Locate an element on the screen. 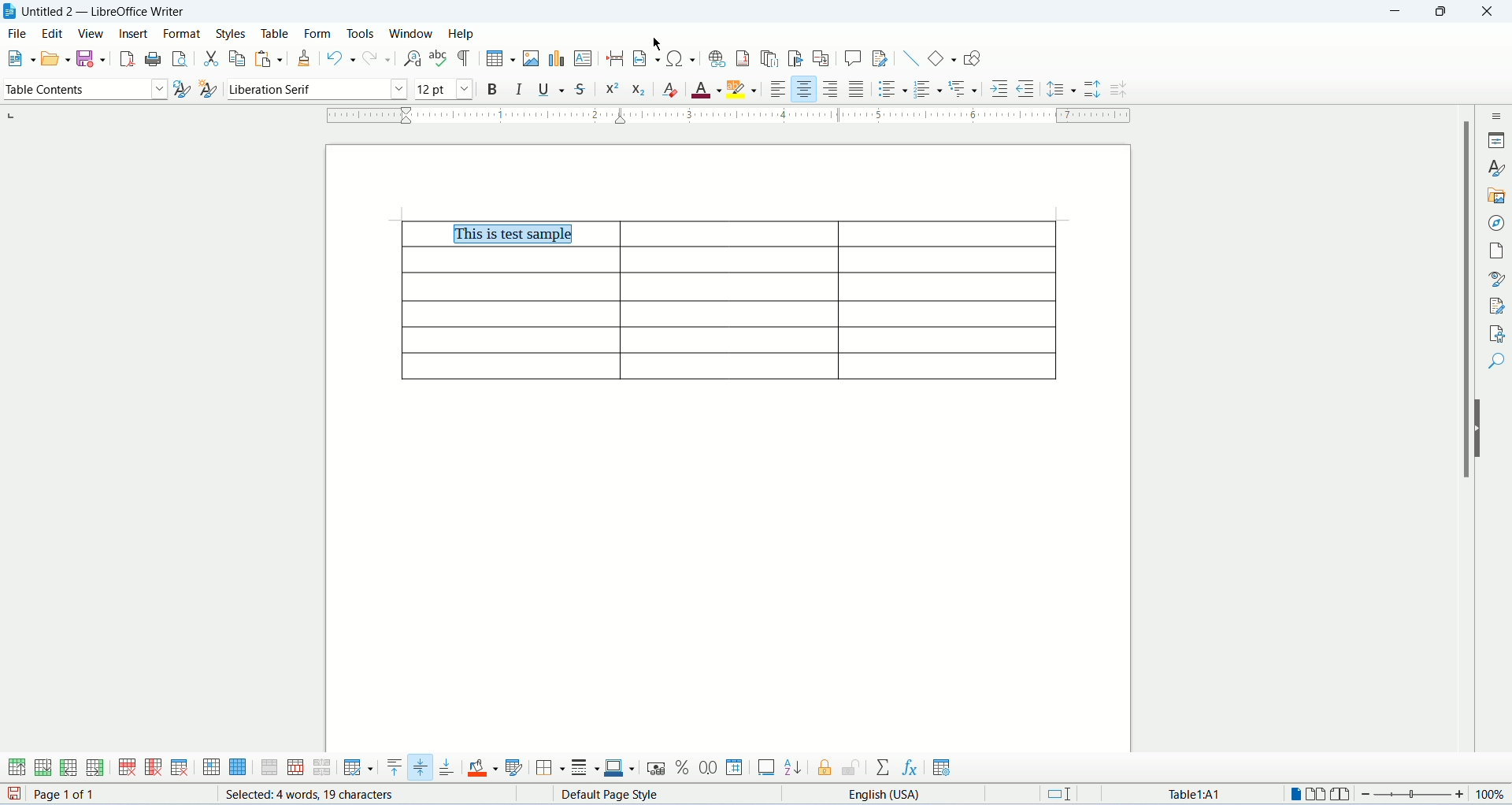  currency format is located at coordinates (656, 766).